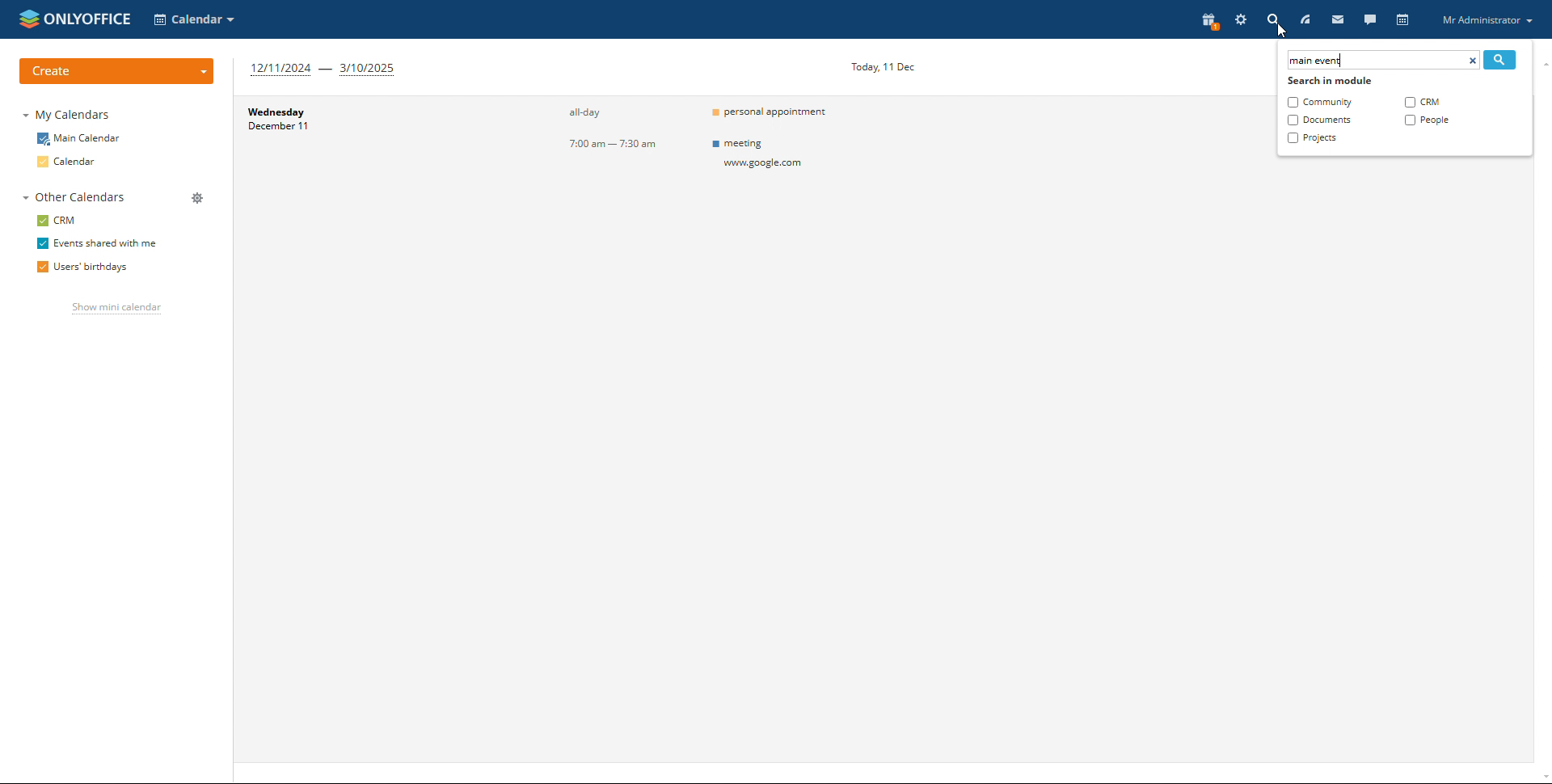 Image resolution: width=1552 pixels, height=784 pixels. I want to click on main calendars, so click(80, 139).